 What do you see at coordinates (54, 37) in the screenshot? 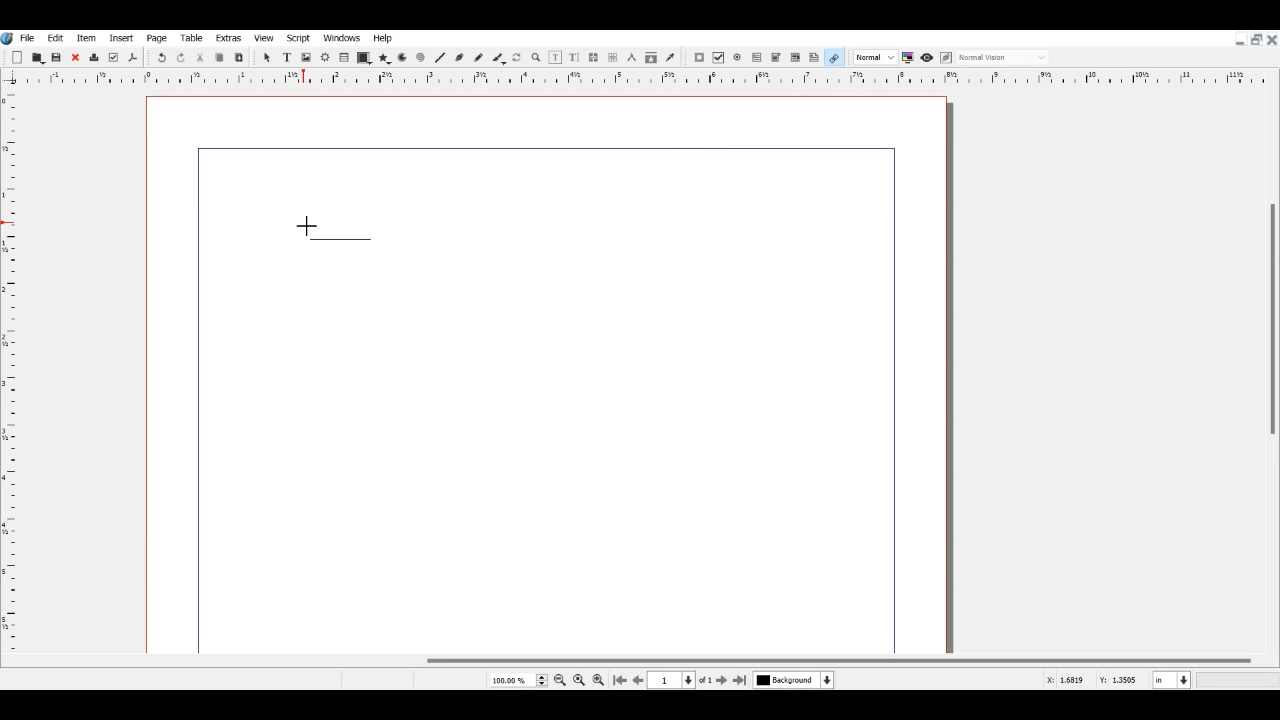
I see `Edit` at bounding box center [54, 37].